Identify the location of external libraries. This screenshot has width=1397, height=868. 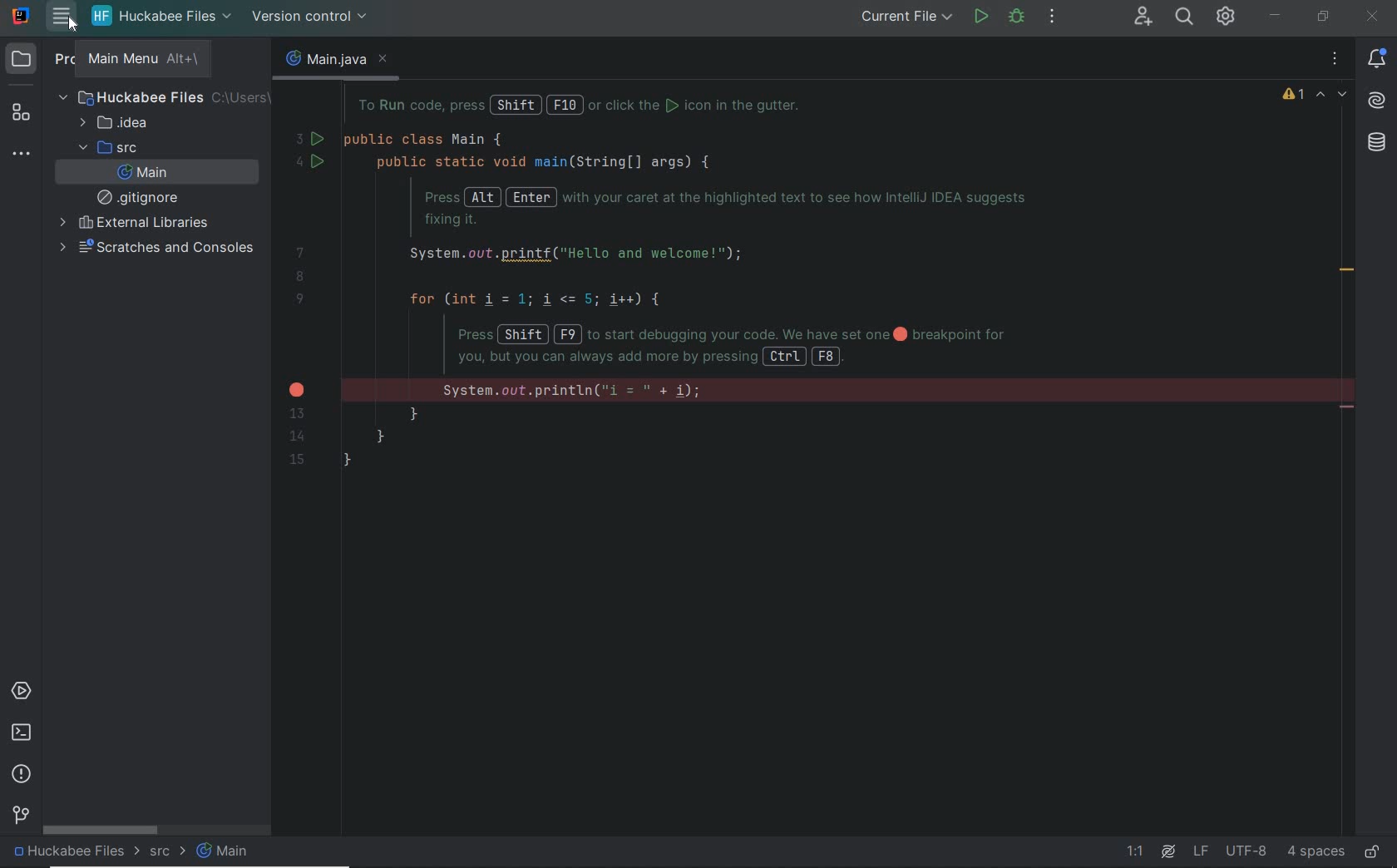
(132, 223).